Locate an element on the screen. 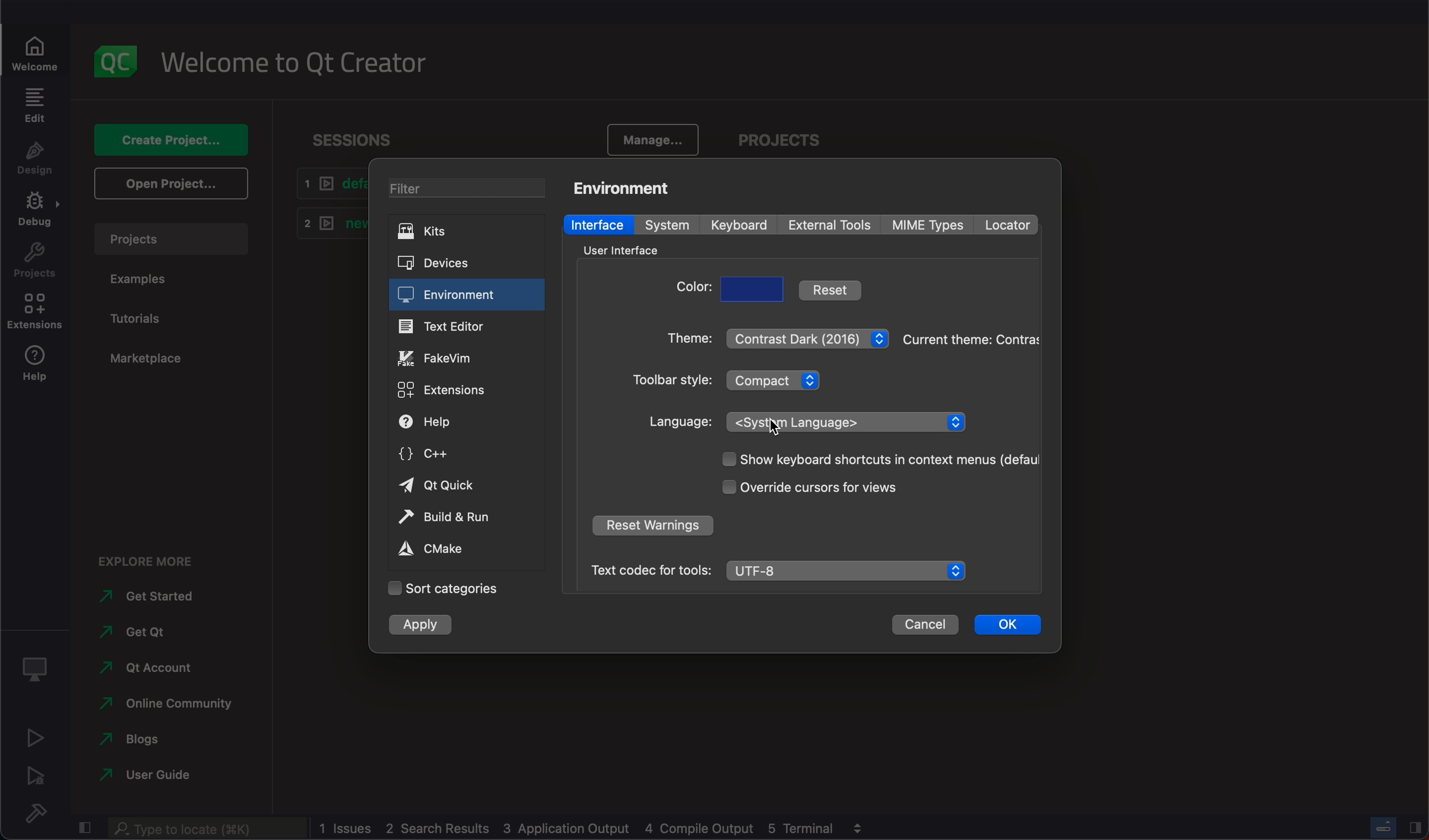 This screenshot has height=840, width=1429. cursor is located at coordinates (809, 489).